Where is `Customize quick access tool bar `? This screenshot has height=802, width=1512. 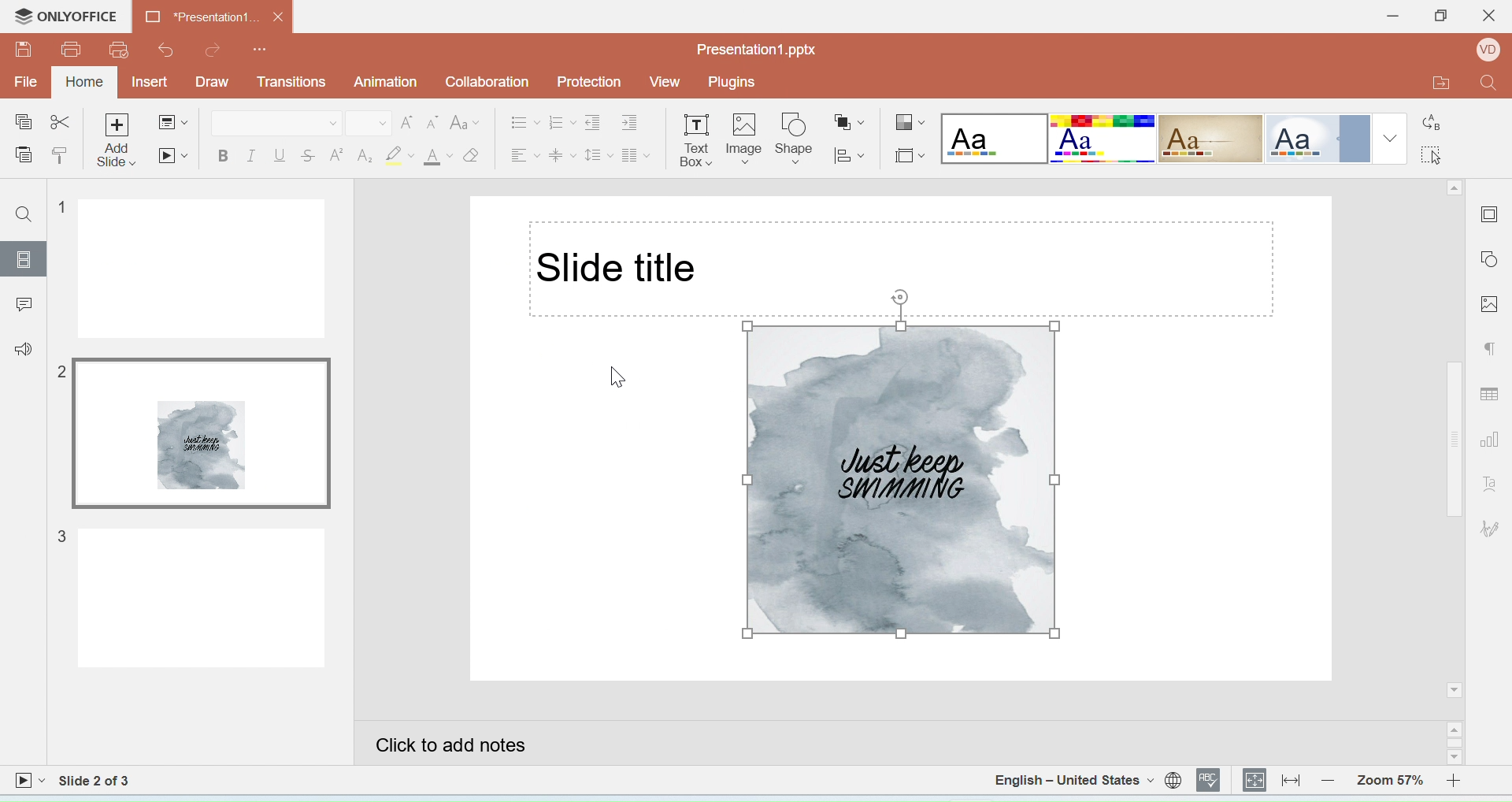
Customize quick access tool bar  is located at coordinates (261, 46).